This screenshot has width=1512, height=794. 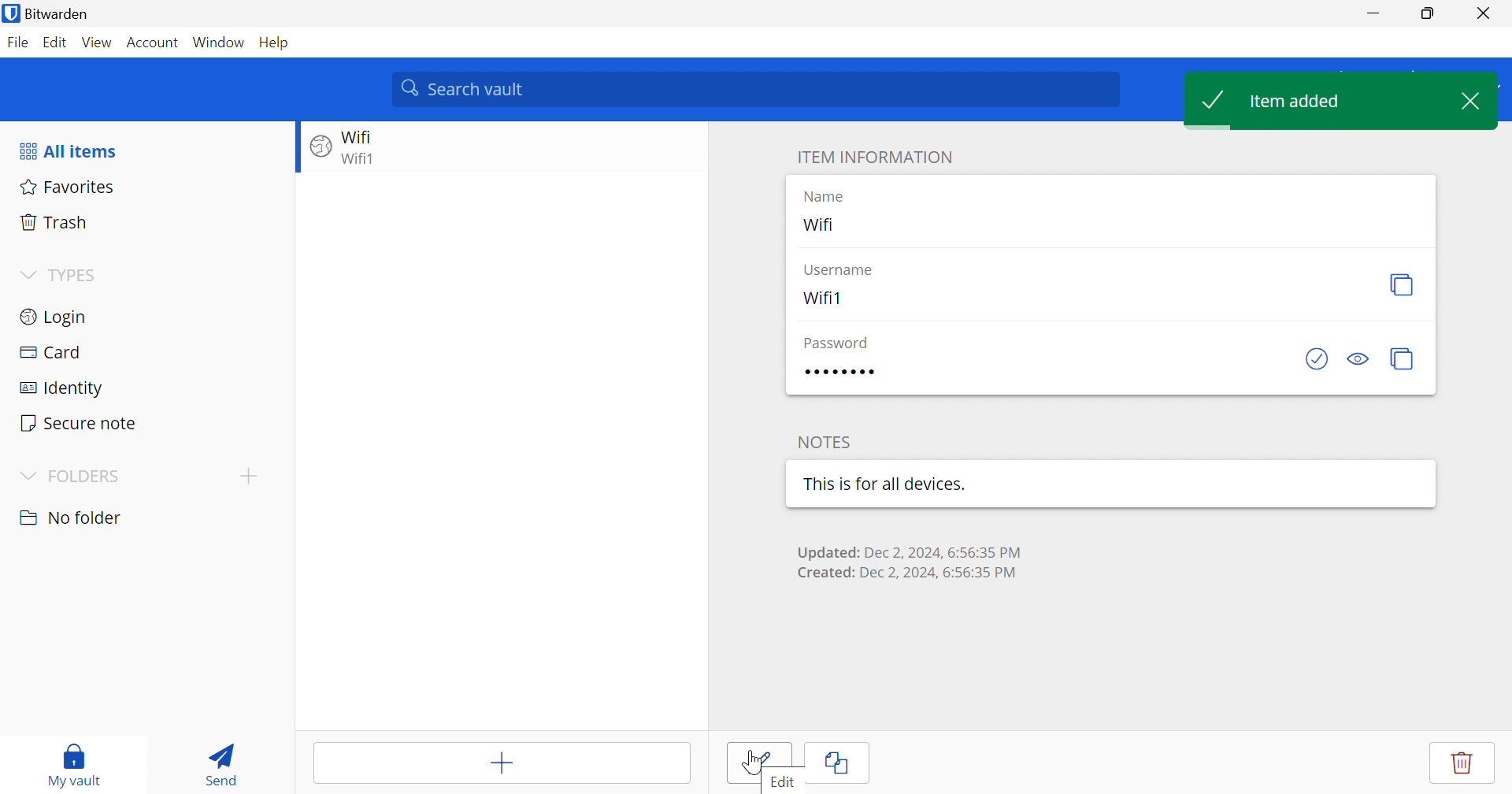 I want to click on Toggle visibility, so click(x=1360, y=362).